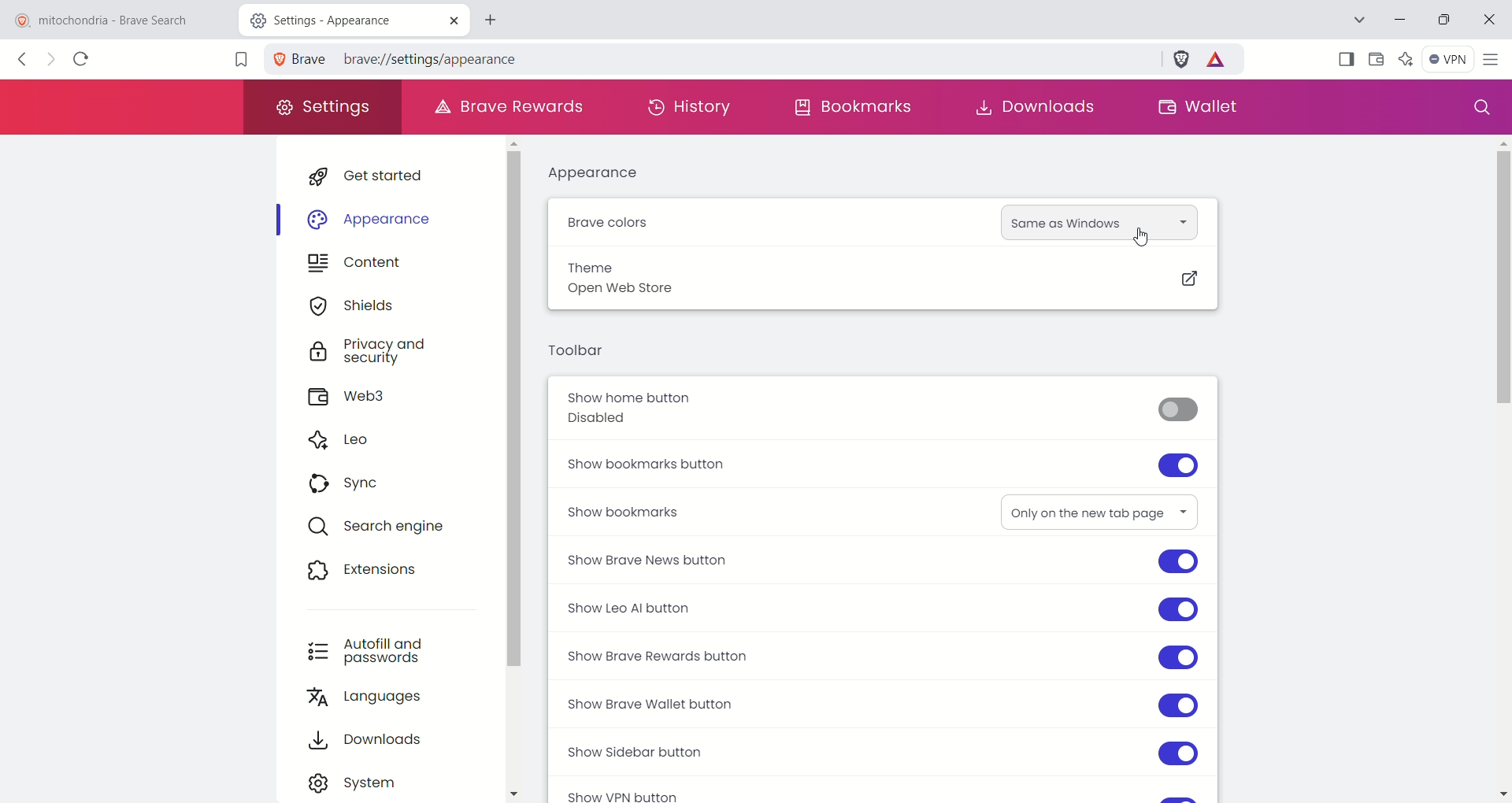 Image resolution: width=1512 pixels, height=803 pixels. I want to click on theme open web store, so click(885, 286).